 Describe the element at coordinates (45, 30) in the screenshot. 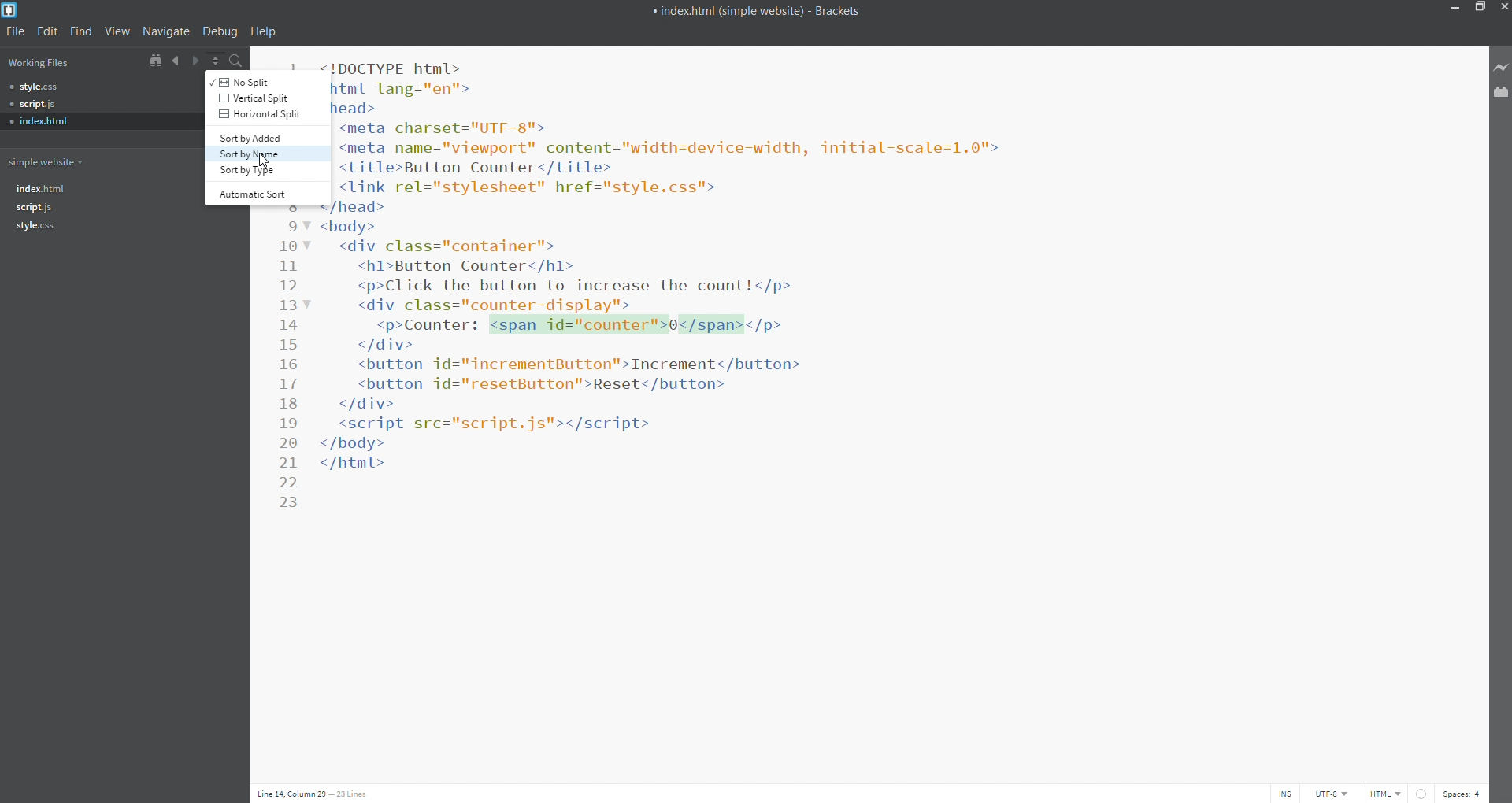

I see `edit ` at that location.